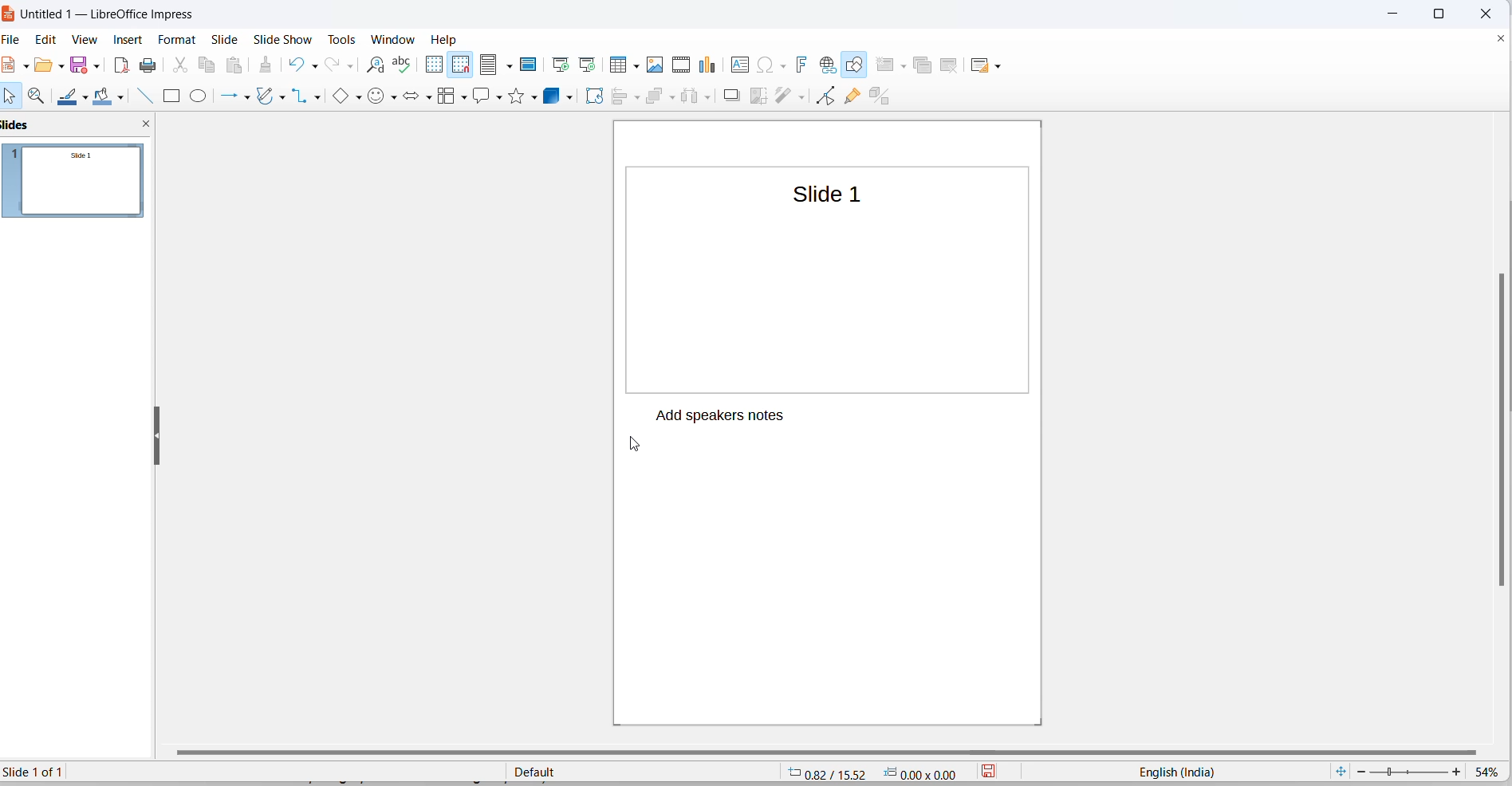 The width and height of the screenshot is (1512, 786). What do you see at coordinates (229, 97) in the screenshot?
I see `line and arrows` at bounding box center [229, 97].